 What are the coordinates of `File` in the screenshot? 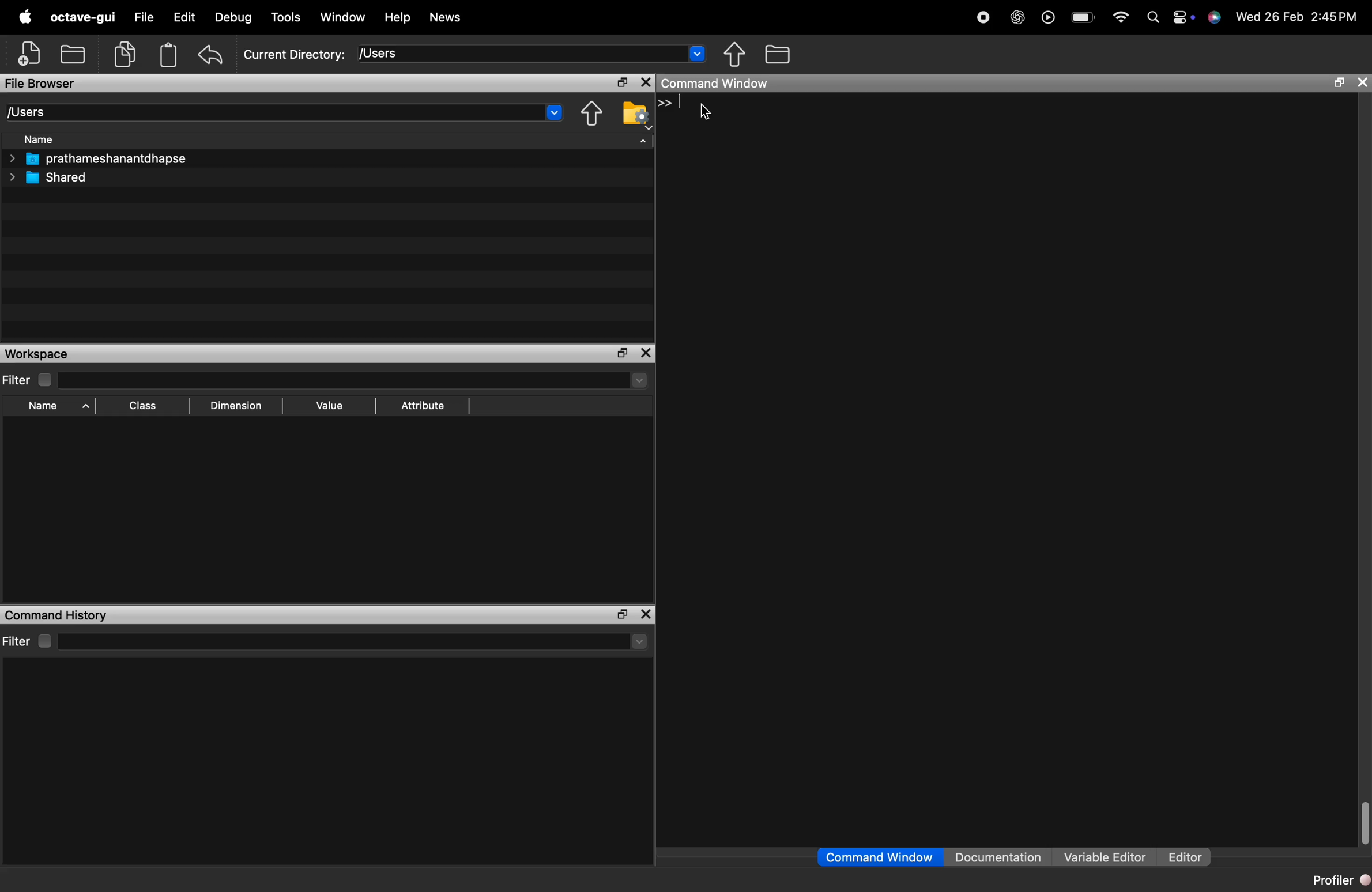 It's located at (141, 14).